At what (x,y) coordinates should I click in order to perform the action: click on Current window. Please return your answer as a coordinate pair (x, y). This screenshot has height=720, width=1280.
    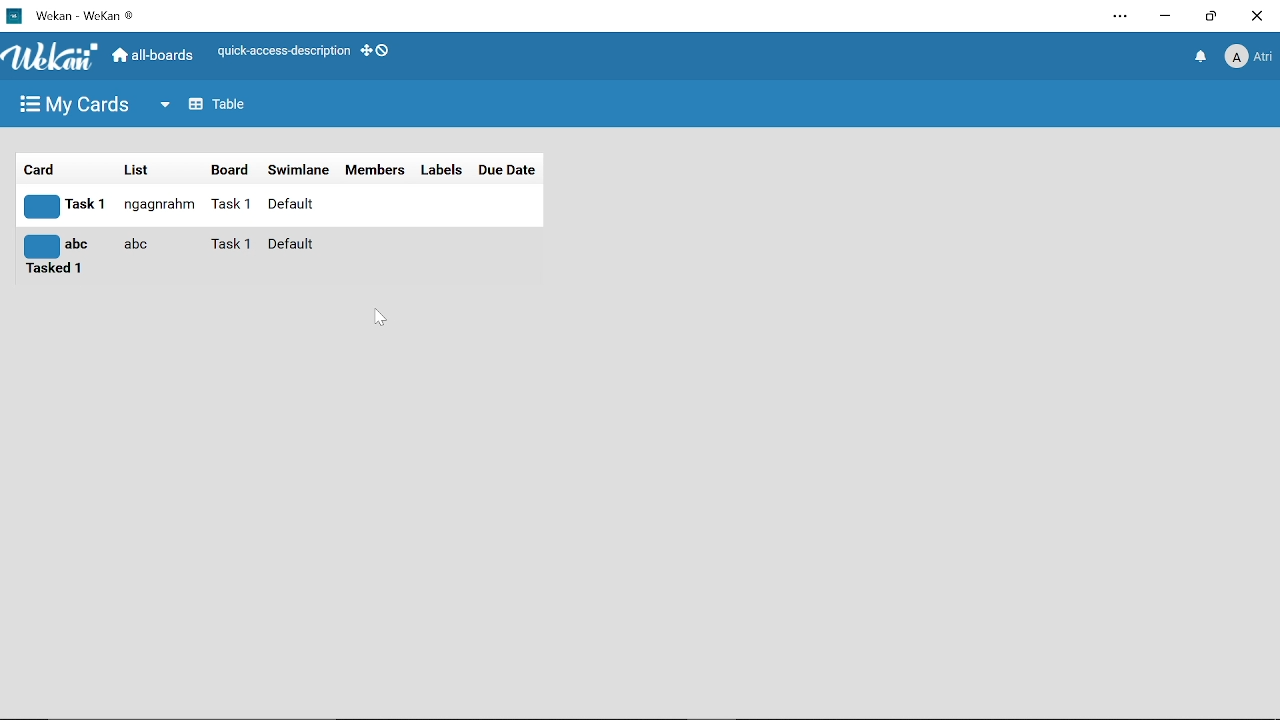
    Looking at the image, I should click on (78, 15).